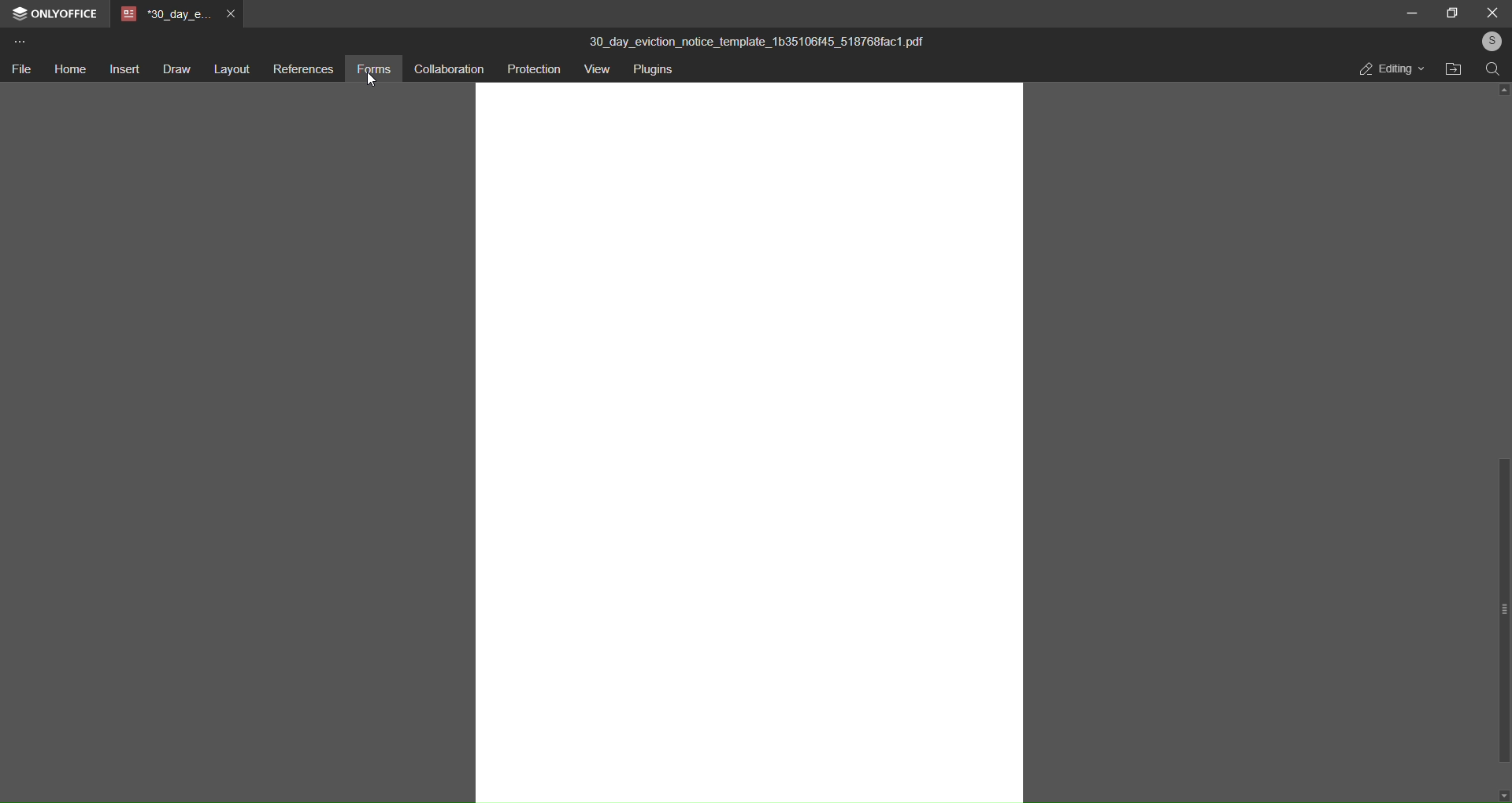  I want to click on protection, so click(536, 70).